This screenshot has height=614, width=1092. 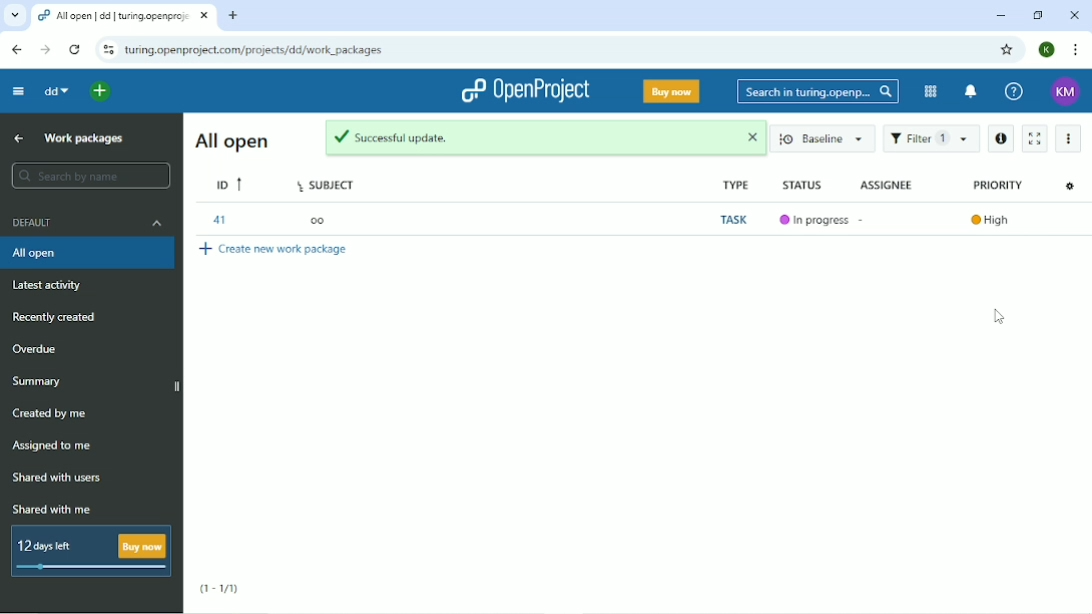 I want to click on Open quick add menu, so click(x=101, y=91).